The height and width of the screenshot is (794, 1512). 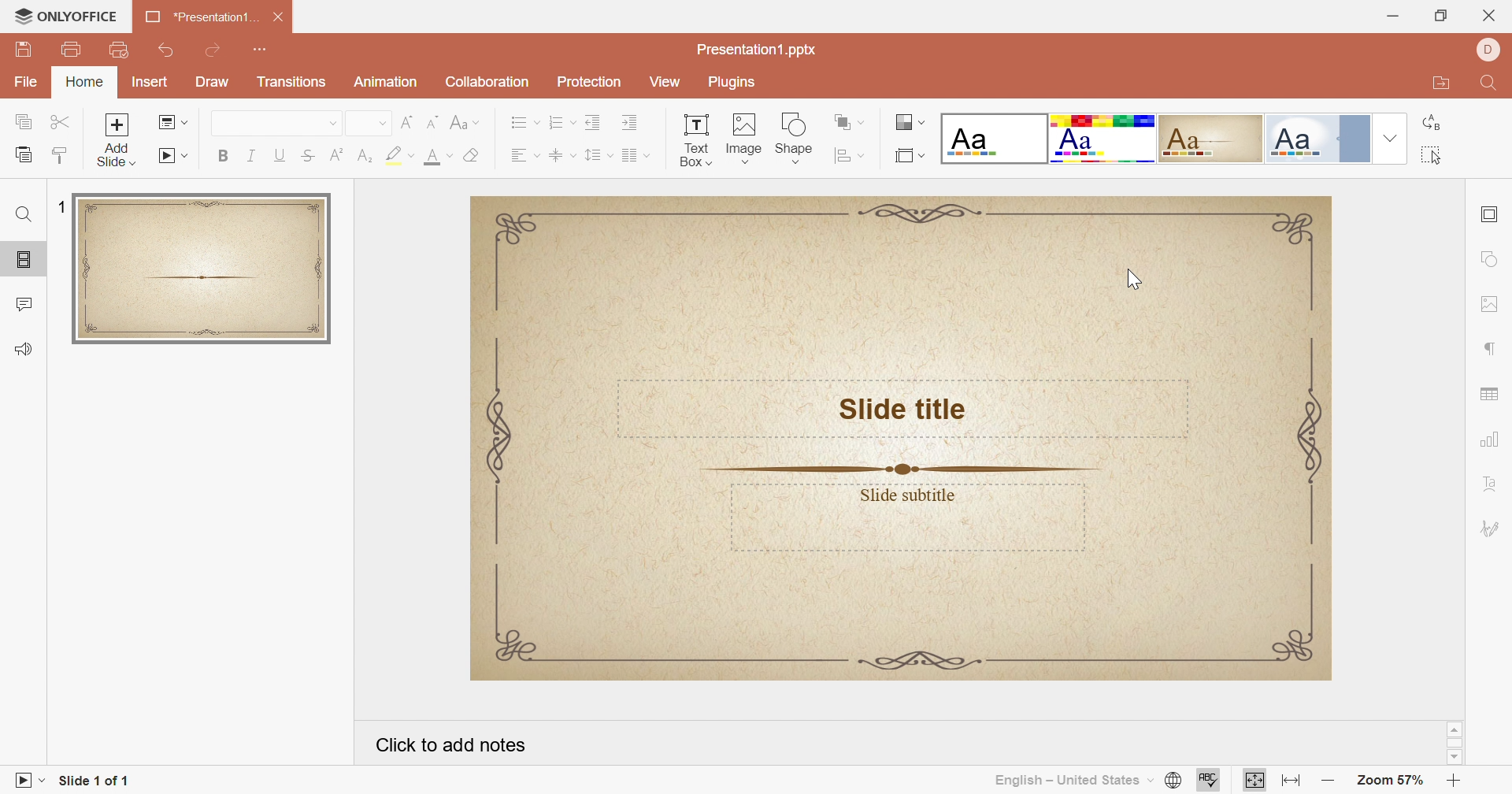 I want to click on Zoom out, so click(x=1324, y=780).